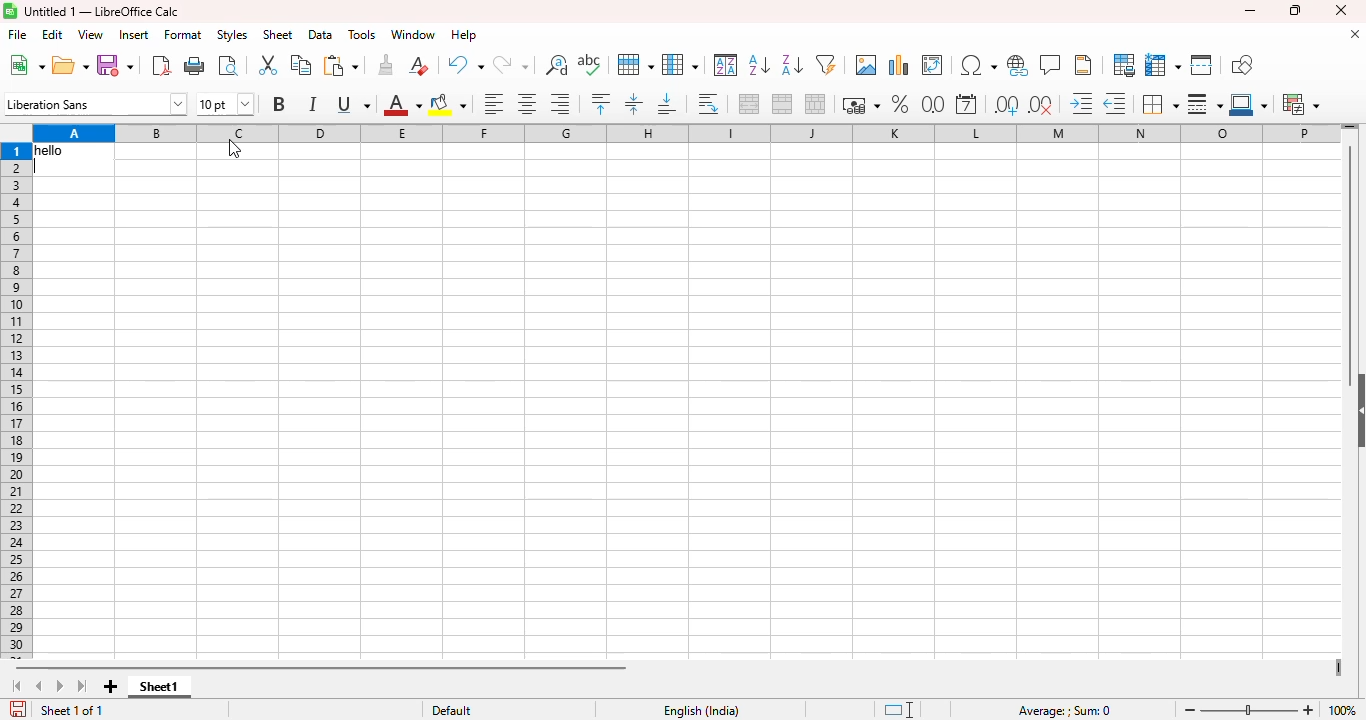  Describe the element at coordinates (1351, 262) in the screenshot. I see `vertical scroll bar` at that location.